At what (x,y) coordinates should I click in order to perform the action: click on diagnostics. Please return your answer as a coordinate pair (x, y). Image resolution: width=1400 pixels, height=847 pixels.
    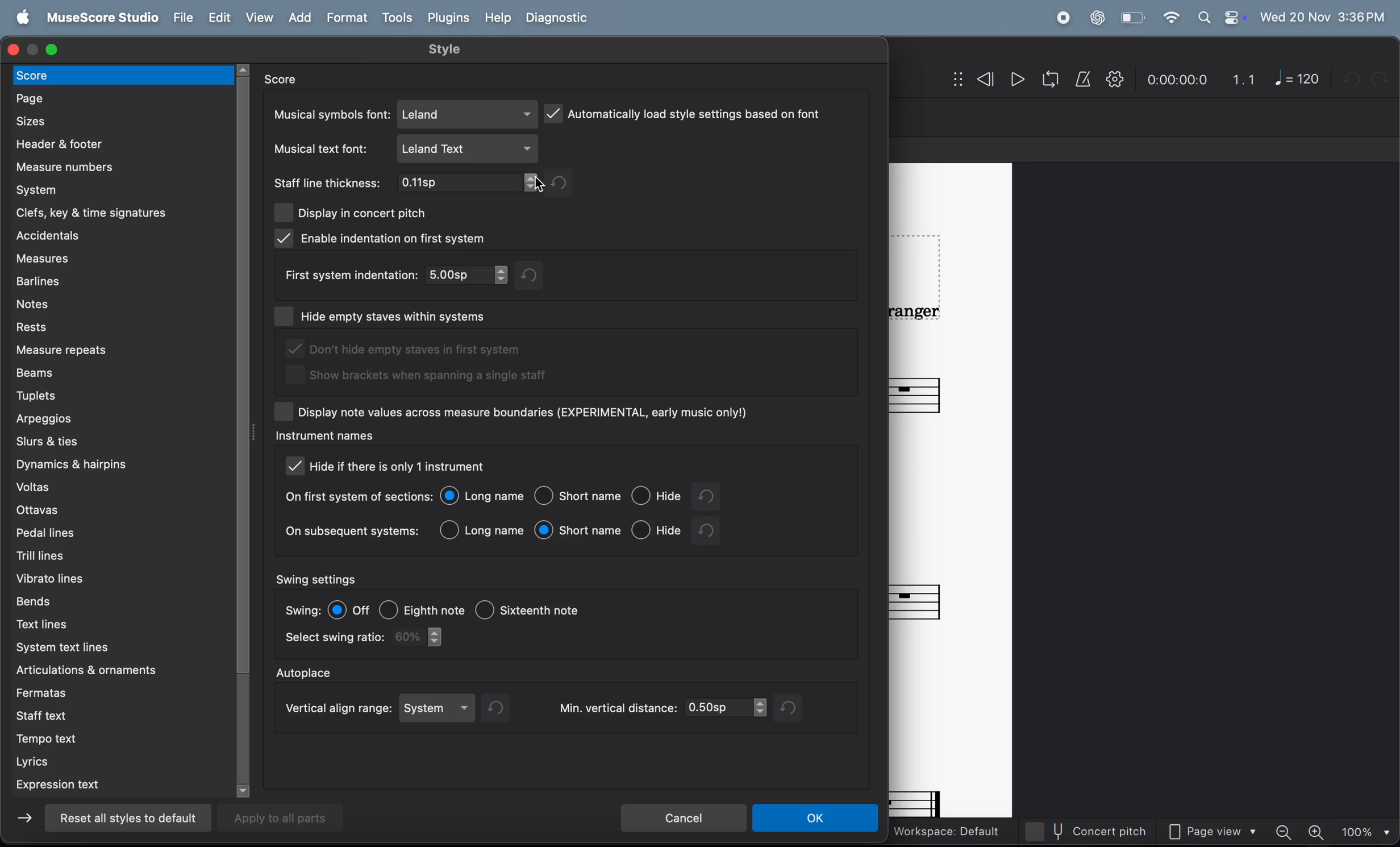
    Looking at the image, I should click on (560, 19).